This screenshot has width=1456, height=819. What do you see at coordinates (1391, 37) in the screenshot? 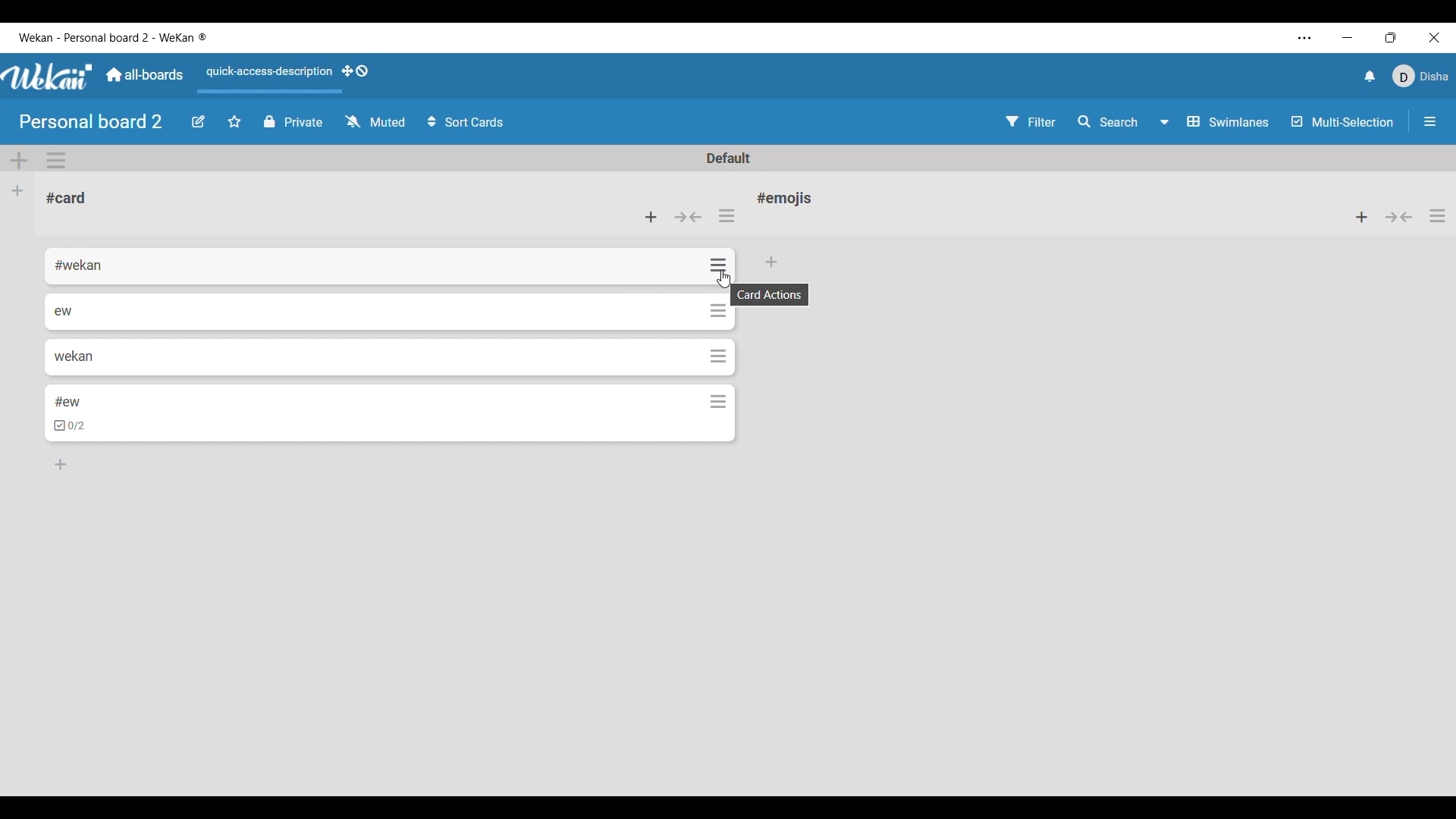
I see `Show interface in a smaller tab` at bounding box center [1391, 37].